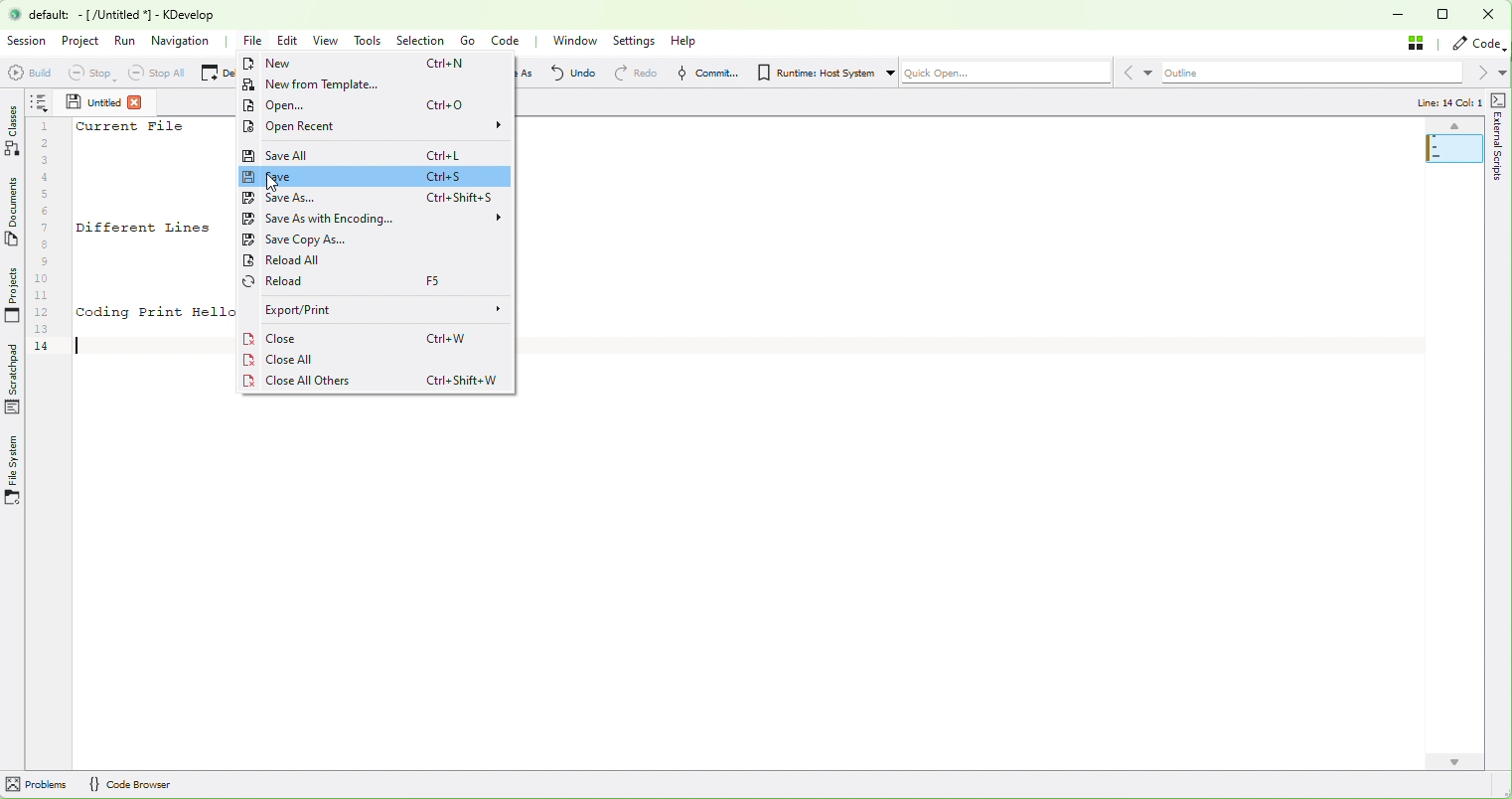 This screenshot has height=799, width=1512. I want to click on New From Template, so click(321, 83).